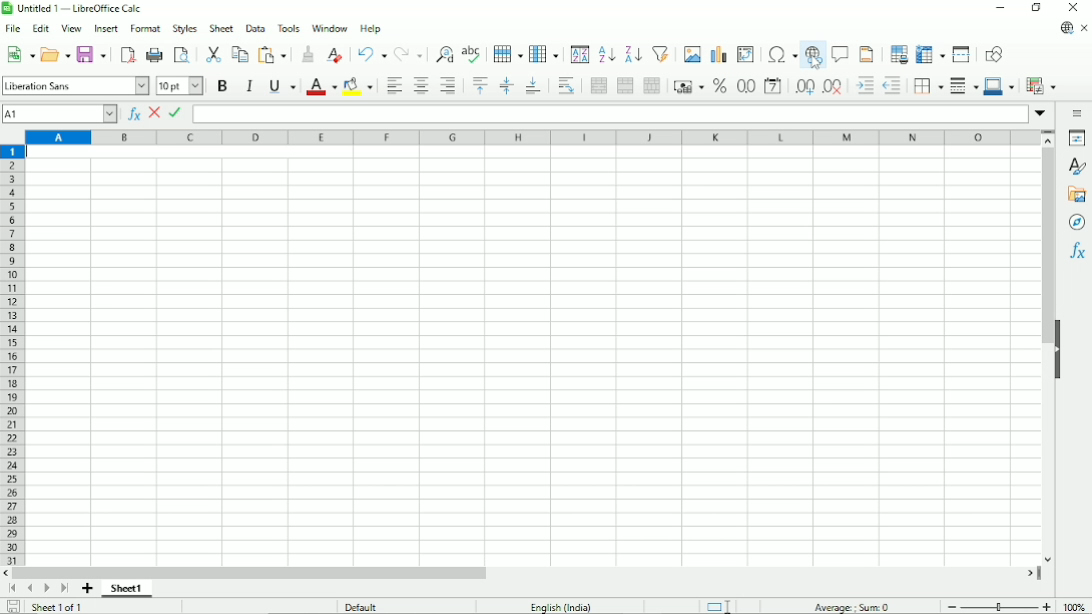  I want to click on Sidebar settings, so click(1078, 114).